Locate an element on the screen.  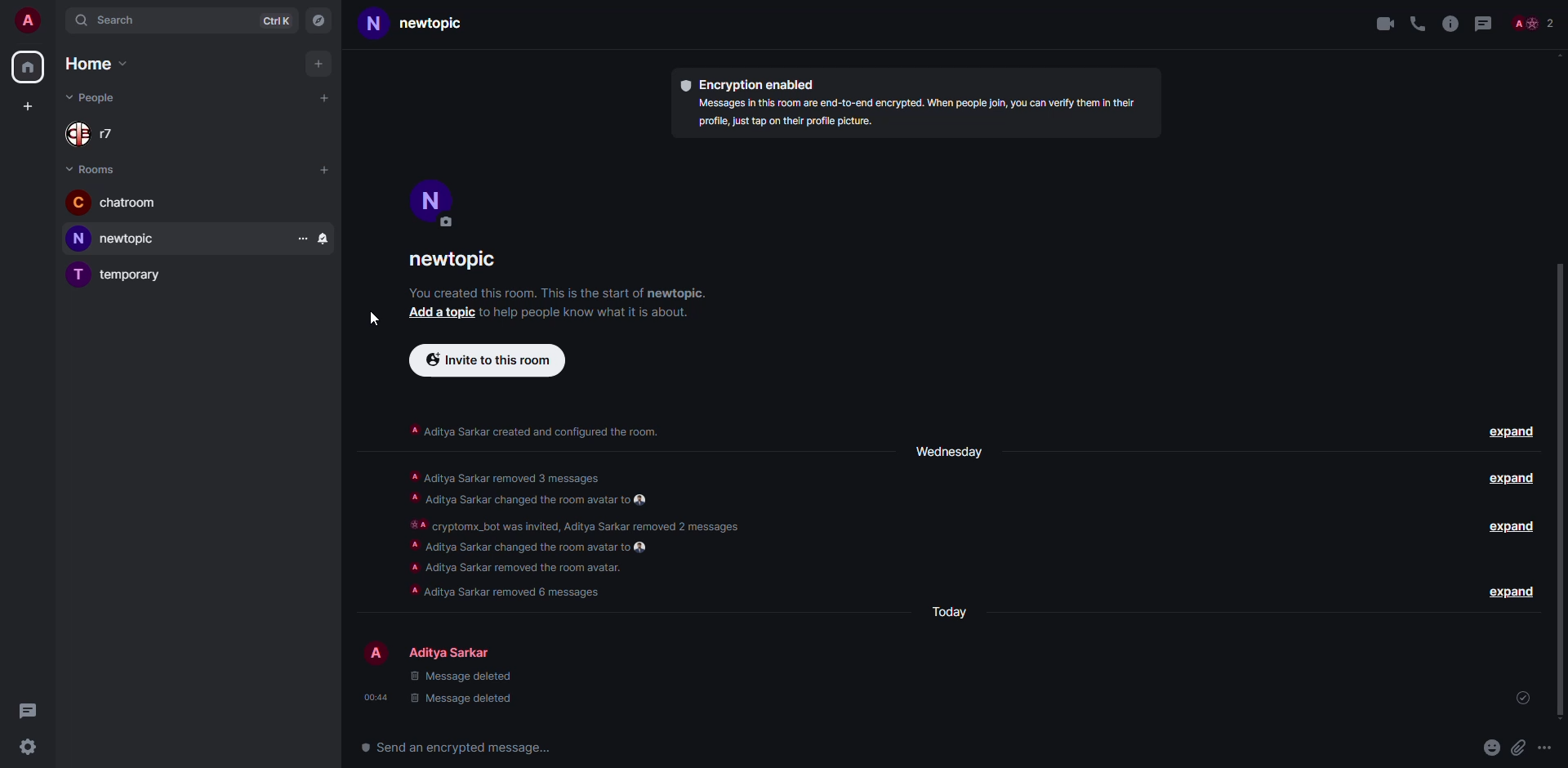
room is located at coordinates (114, 238).